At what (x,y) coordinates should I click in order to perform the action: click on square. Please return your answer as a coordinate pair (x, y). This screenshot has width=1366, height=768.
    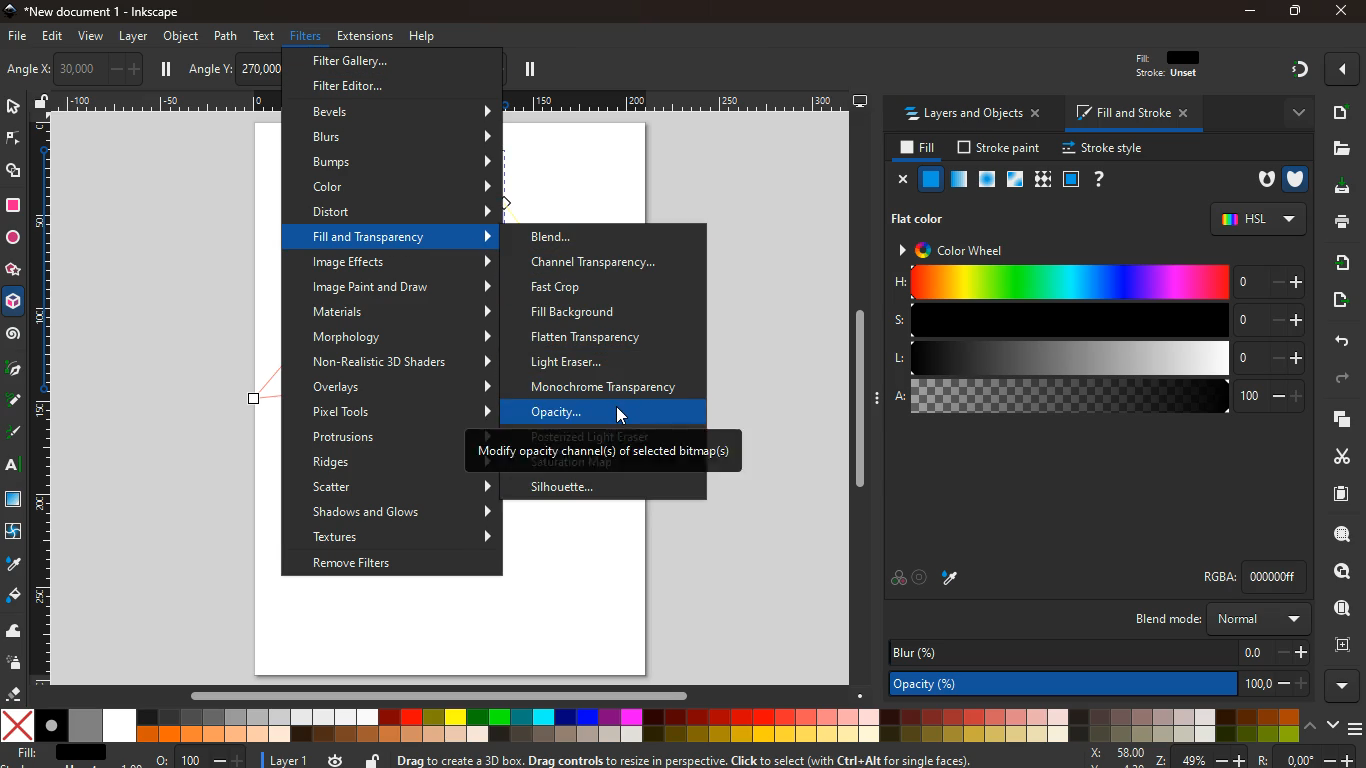
    Looking at the image, I should click on (13, 205).